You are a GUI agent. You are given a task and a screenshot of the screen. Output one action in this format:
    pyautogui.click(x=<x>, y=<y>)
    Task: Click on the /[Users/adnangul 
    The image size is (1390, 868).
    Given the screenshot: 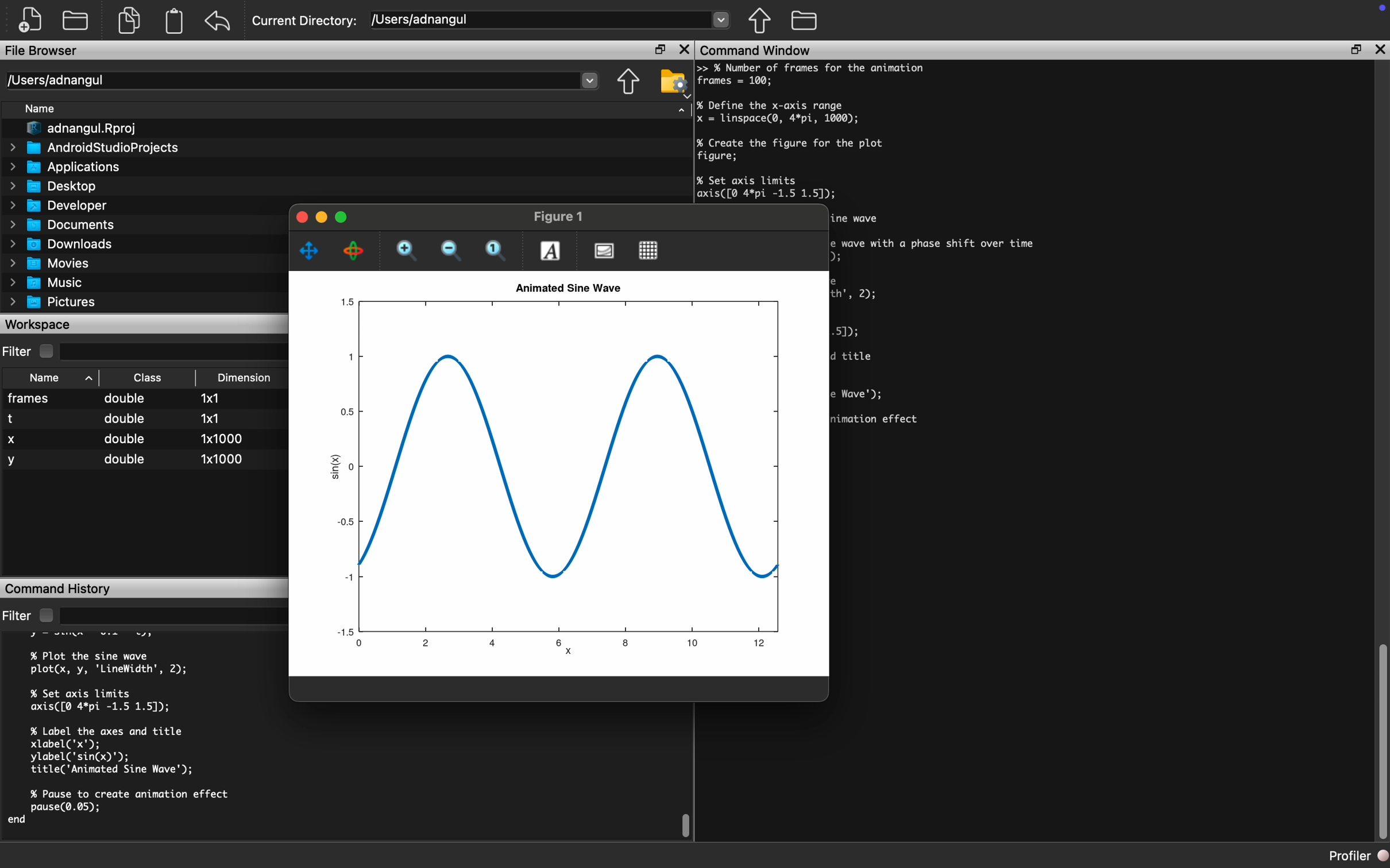 What is the action you would take?
    pyautogui.click(x=551, y=19)
    